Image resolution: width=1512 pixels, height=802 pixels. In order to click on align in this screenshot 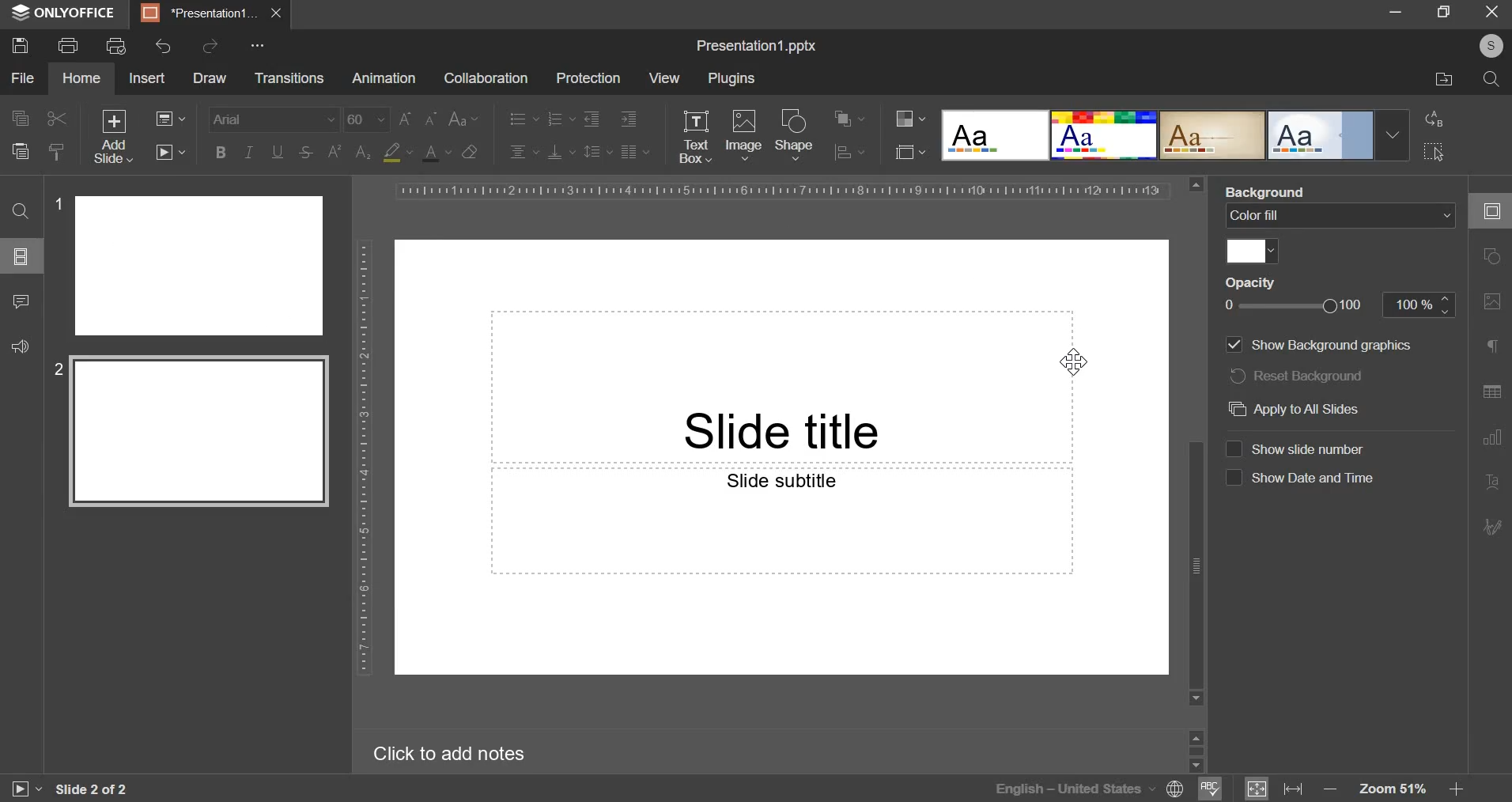, I will do `click(850, 153)`.